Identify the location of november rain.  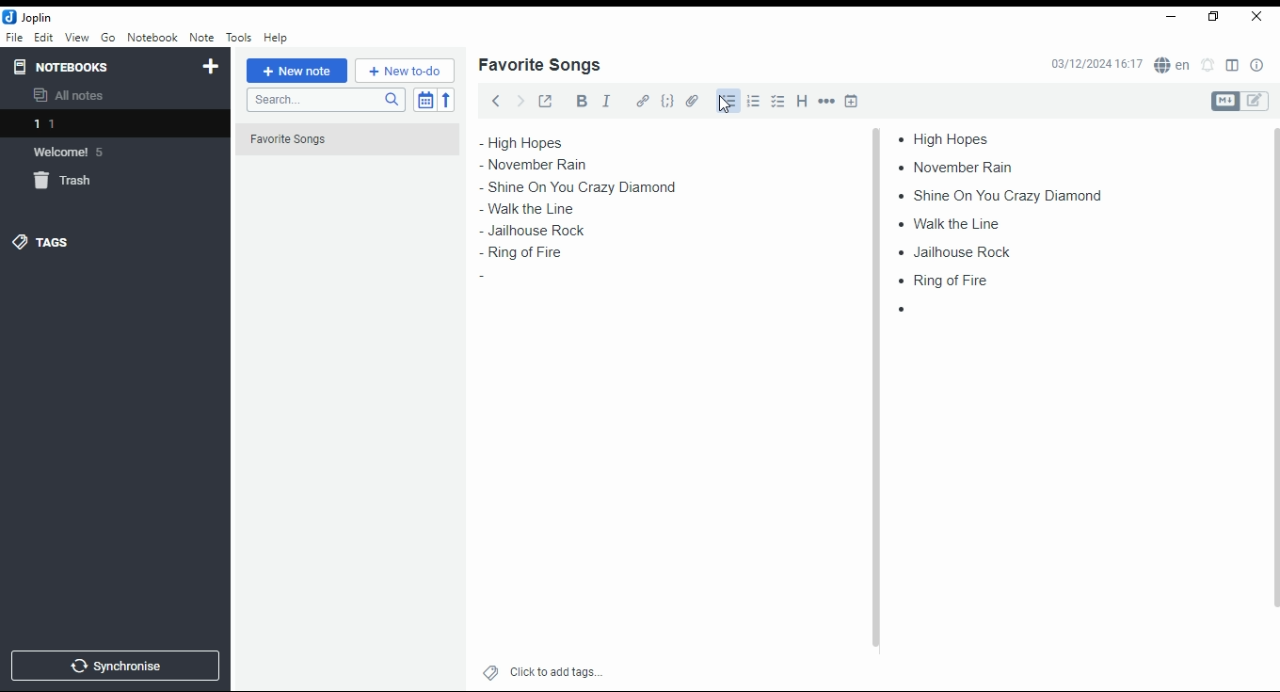
(548, 165).